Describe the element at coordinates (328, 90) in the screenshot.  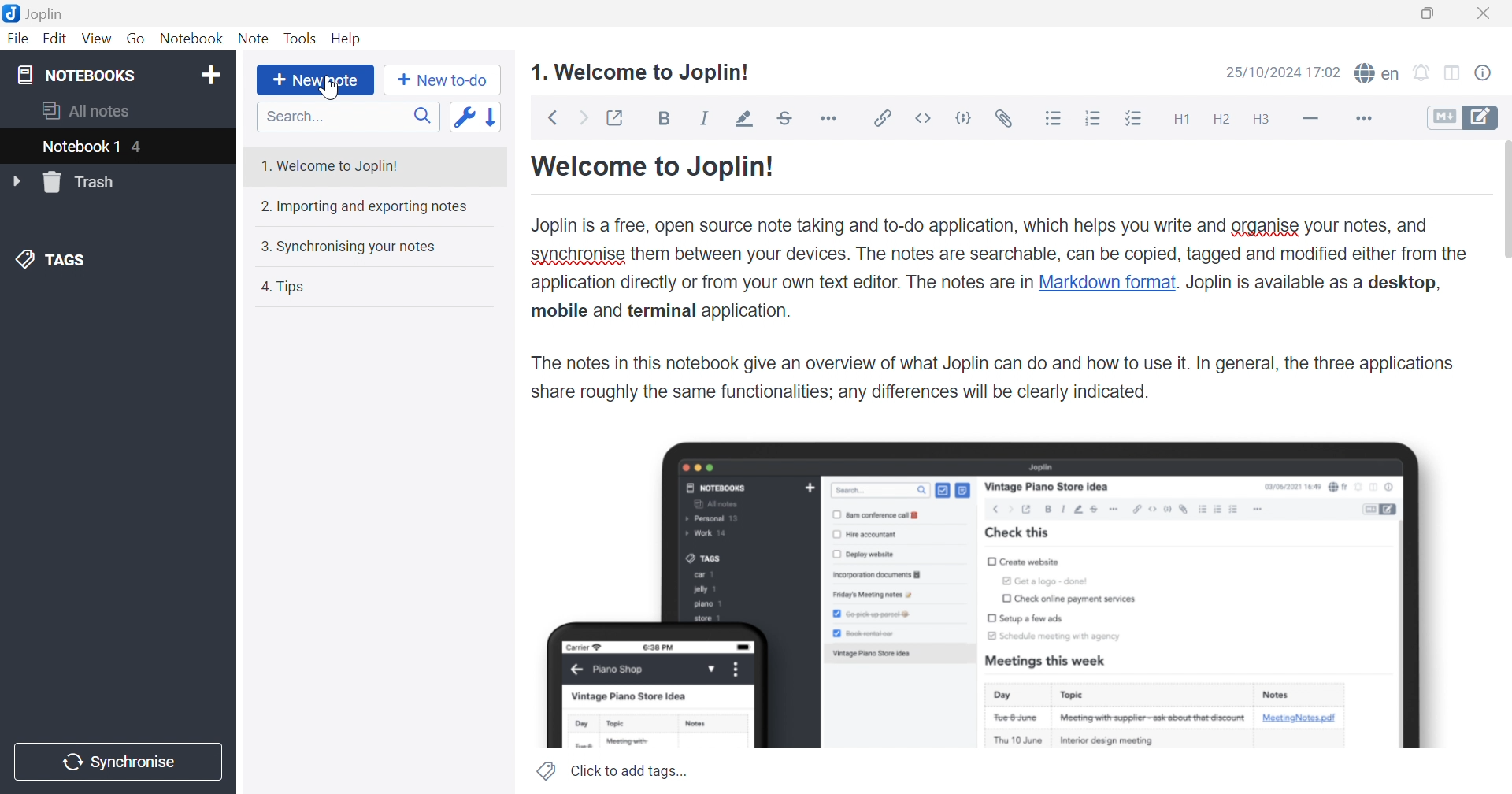
I see `cursor` at that location.